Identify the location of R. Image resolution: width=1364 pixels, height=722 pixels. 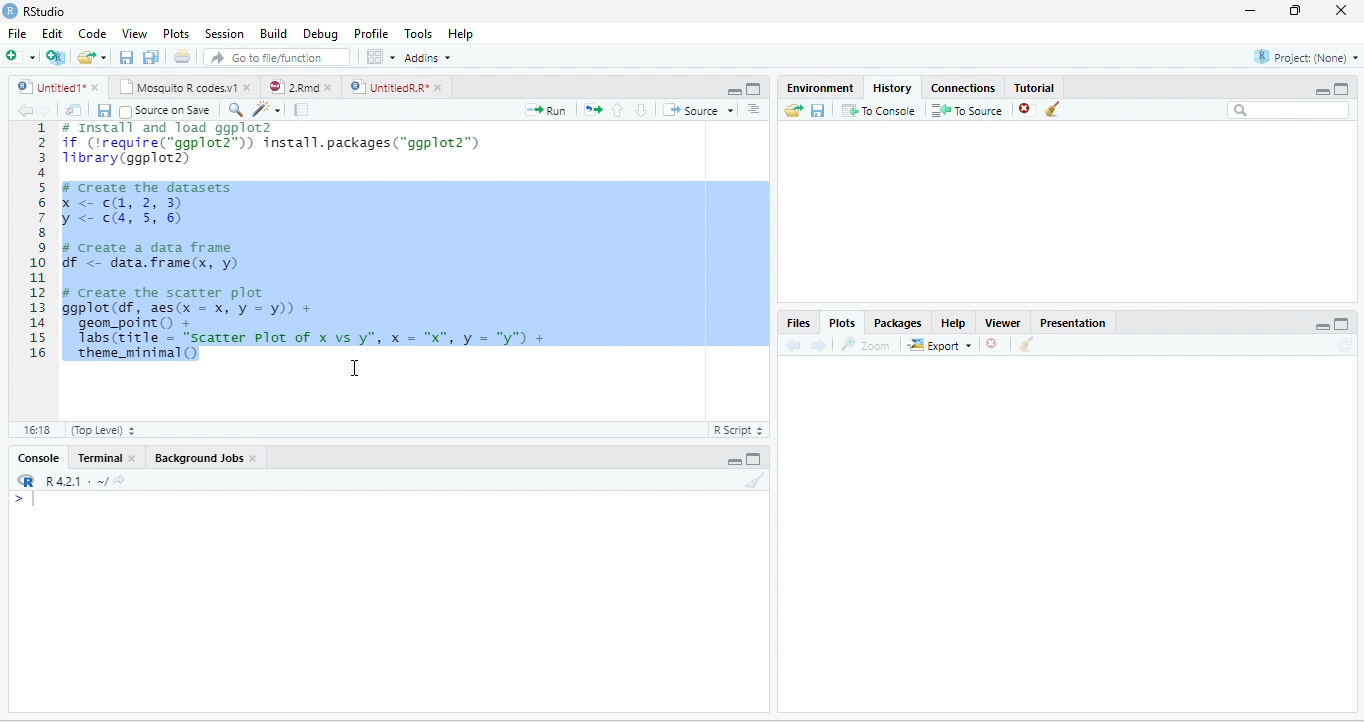
(25, 480).